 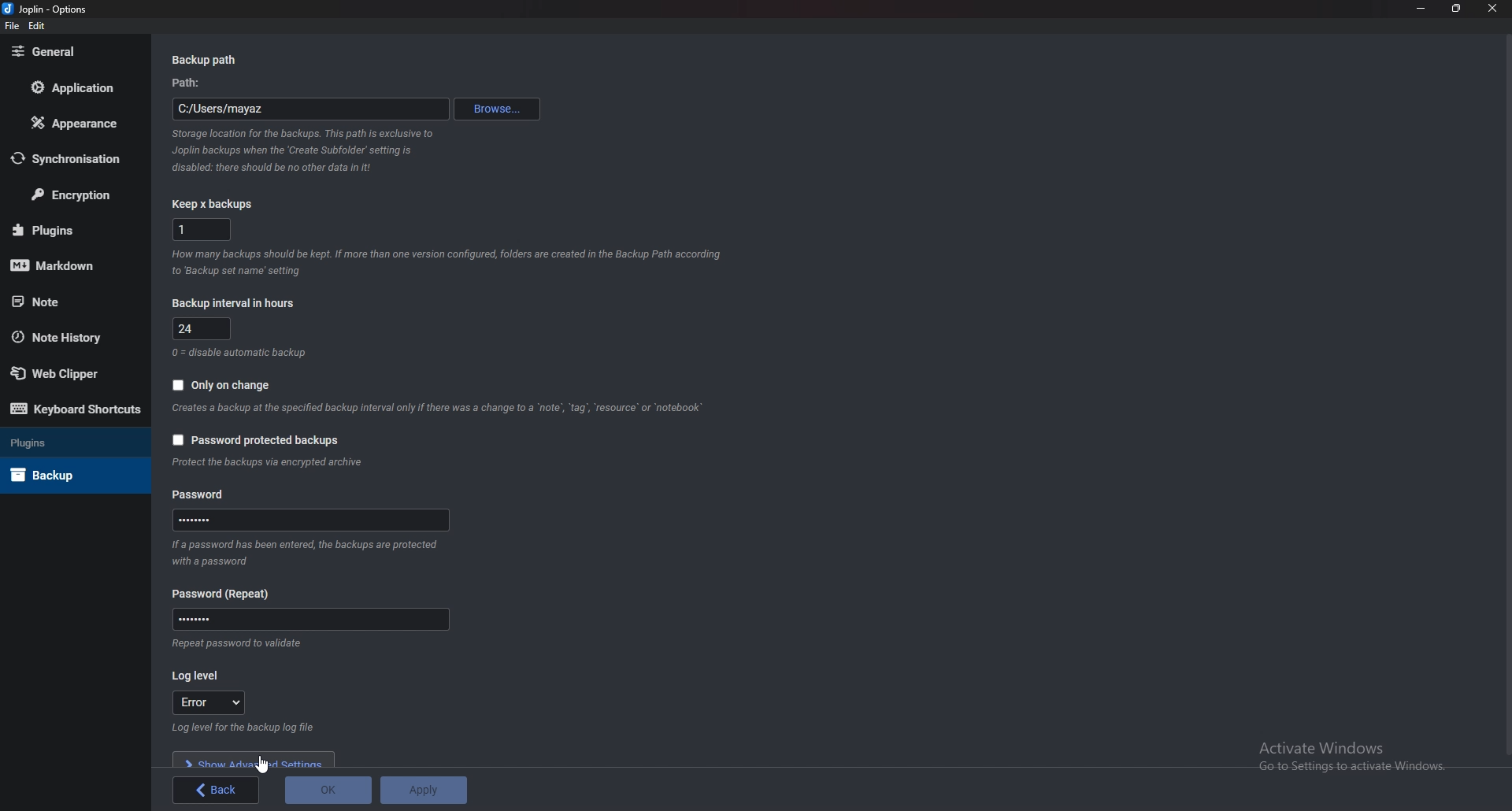 What do you see at coordinates (242, 351) in the screenshot?
I see `Info` at bounding box center [242, 351].